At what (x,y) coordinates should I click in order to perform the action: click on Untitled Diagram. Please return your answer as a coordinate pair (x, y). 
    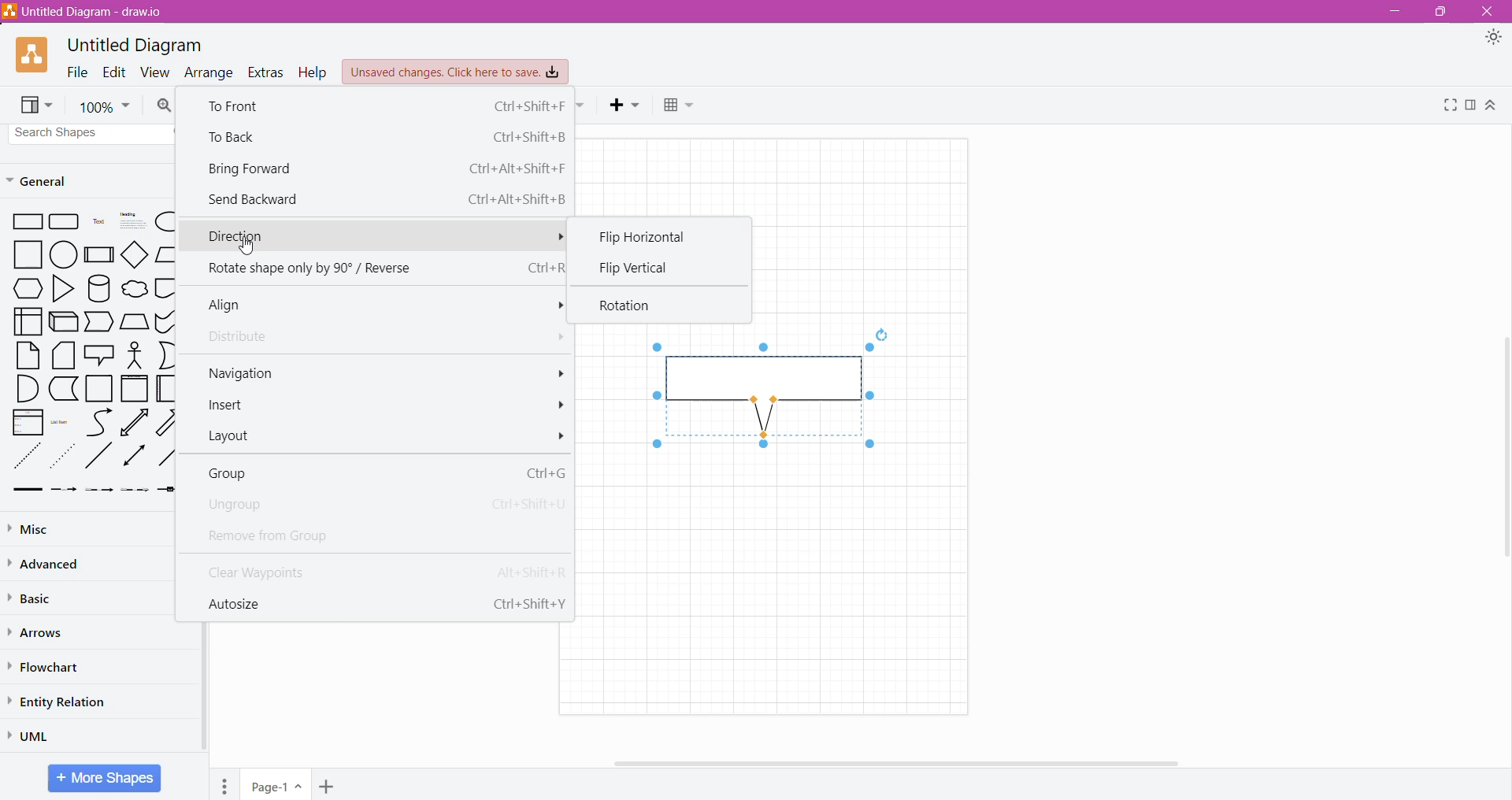
    Looking at the image, I should click on (135, 46).